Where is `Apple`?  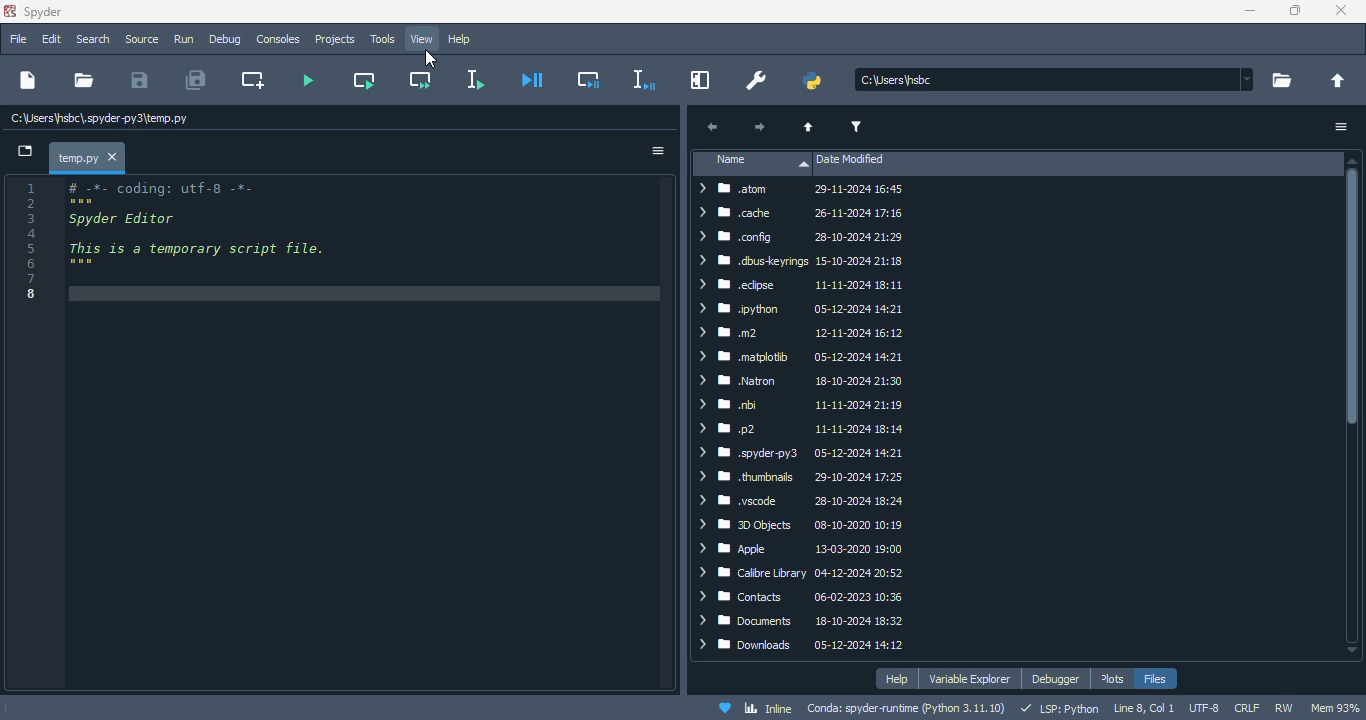
Apple is located at coordinates (806, 548).